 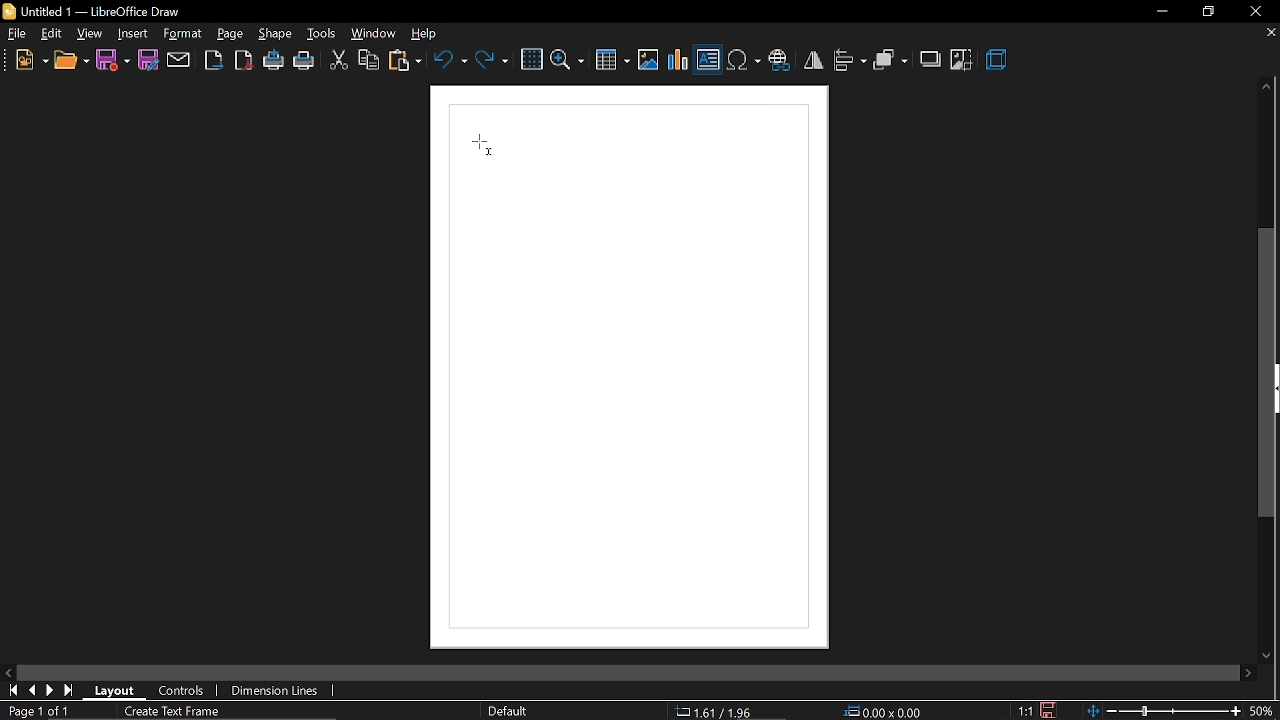 I want to click on cut, so click(x=338, y=62).